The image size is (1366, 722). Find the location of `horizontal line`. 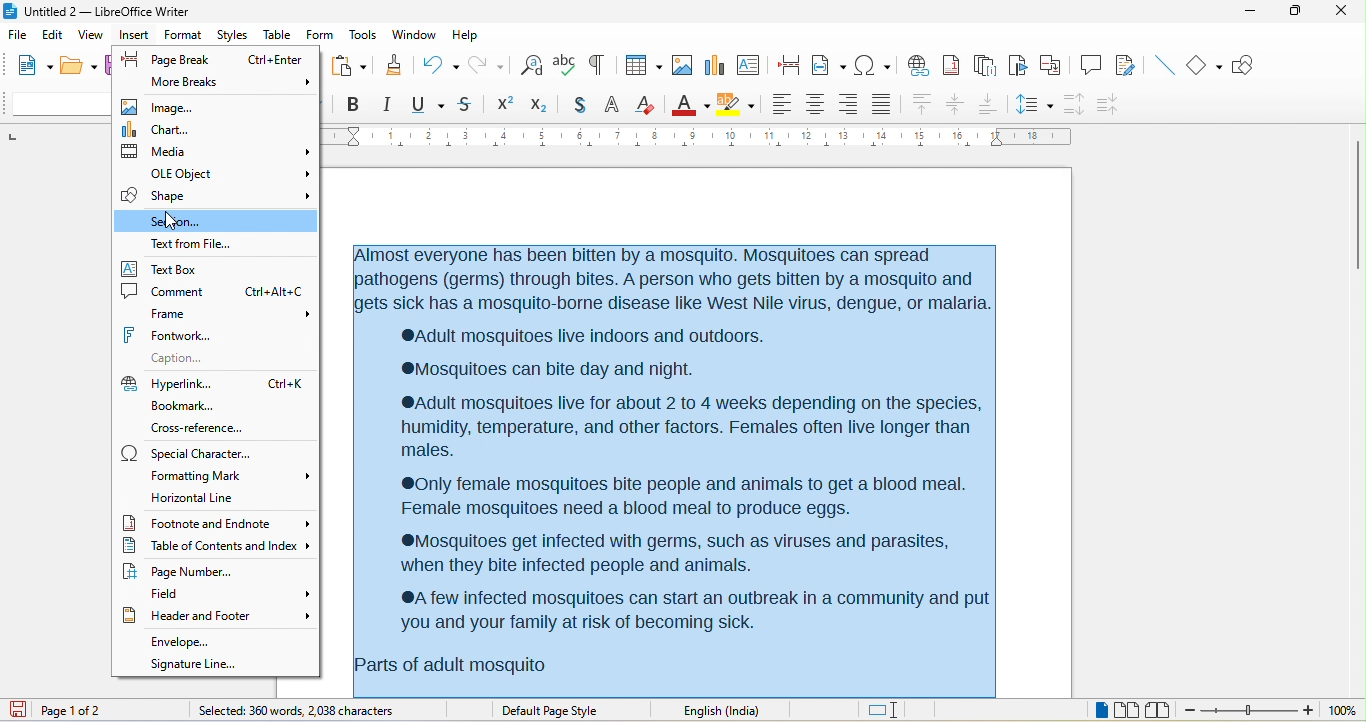

horizontal line is located at coordinates (218, 498).